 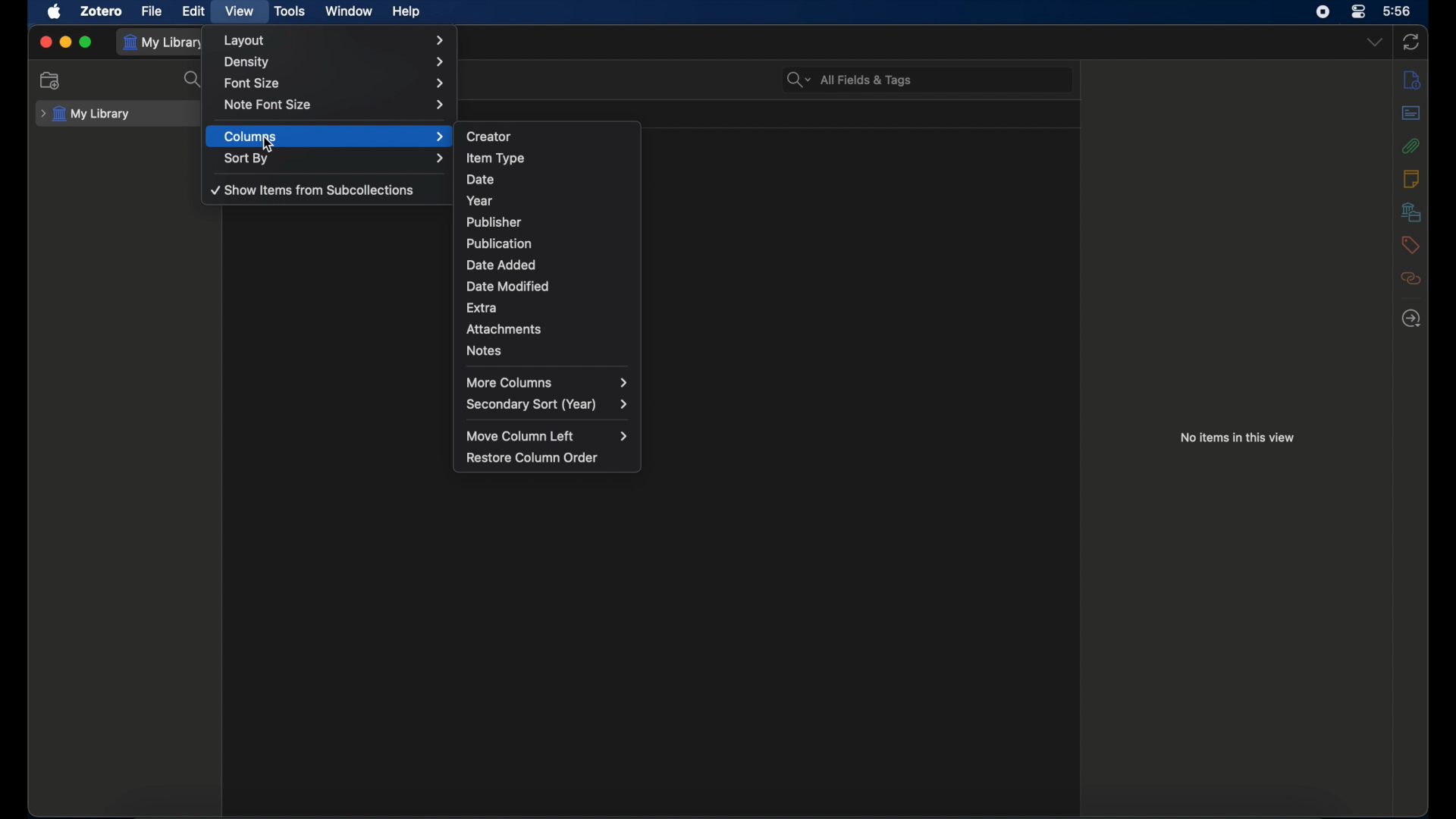 I want to click on density, so click(x=337, y=63).